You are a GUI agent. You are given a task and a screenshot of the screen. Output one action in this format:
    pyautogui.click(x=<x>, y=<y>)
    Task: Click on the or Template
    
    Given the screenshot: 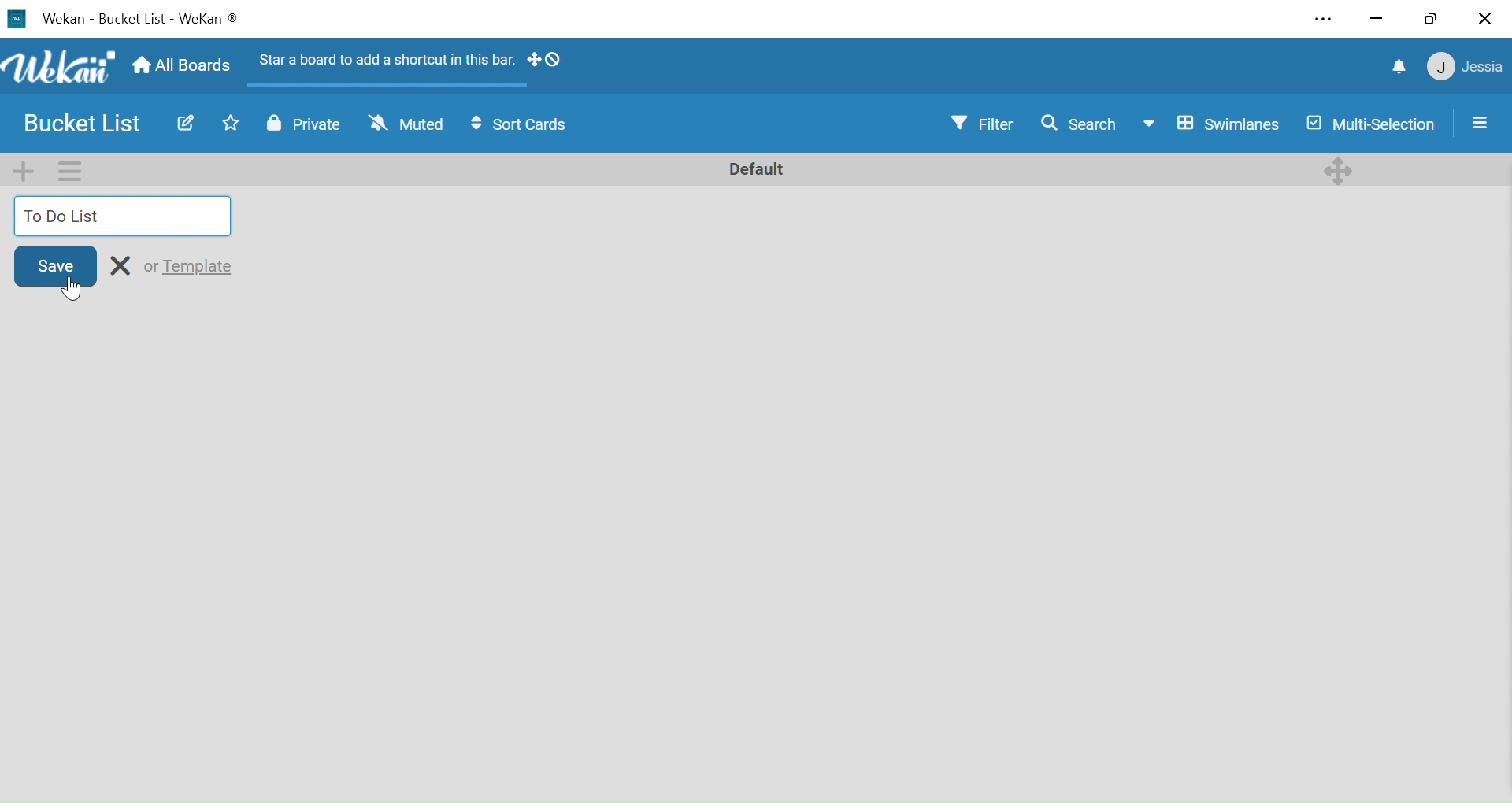 What is the action you would take?
    pyautogui.click(x=190, y=265)
    